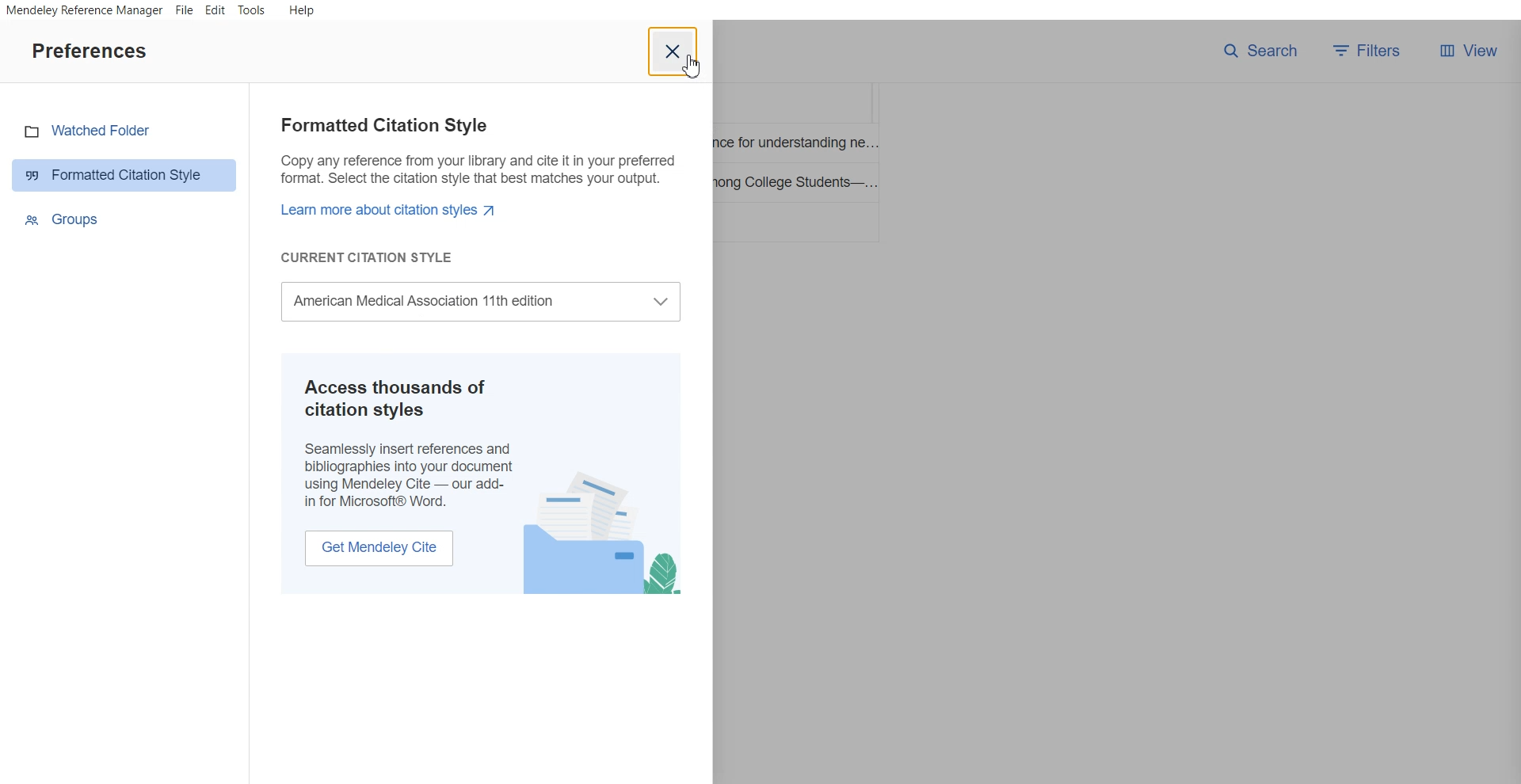 The image size is (1521, 784). I want to click on Get Mendeley Cite, so click(379, 547).